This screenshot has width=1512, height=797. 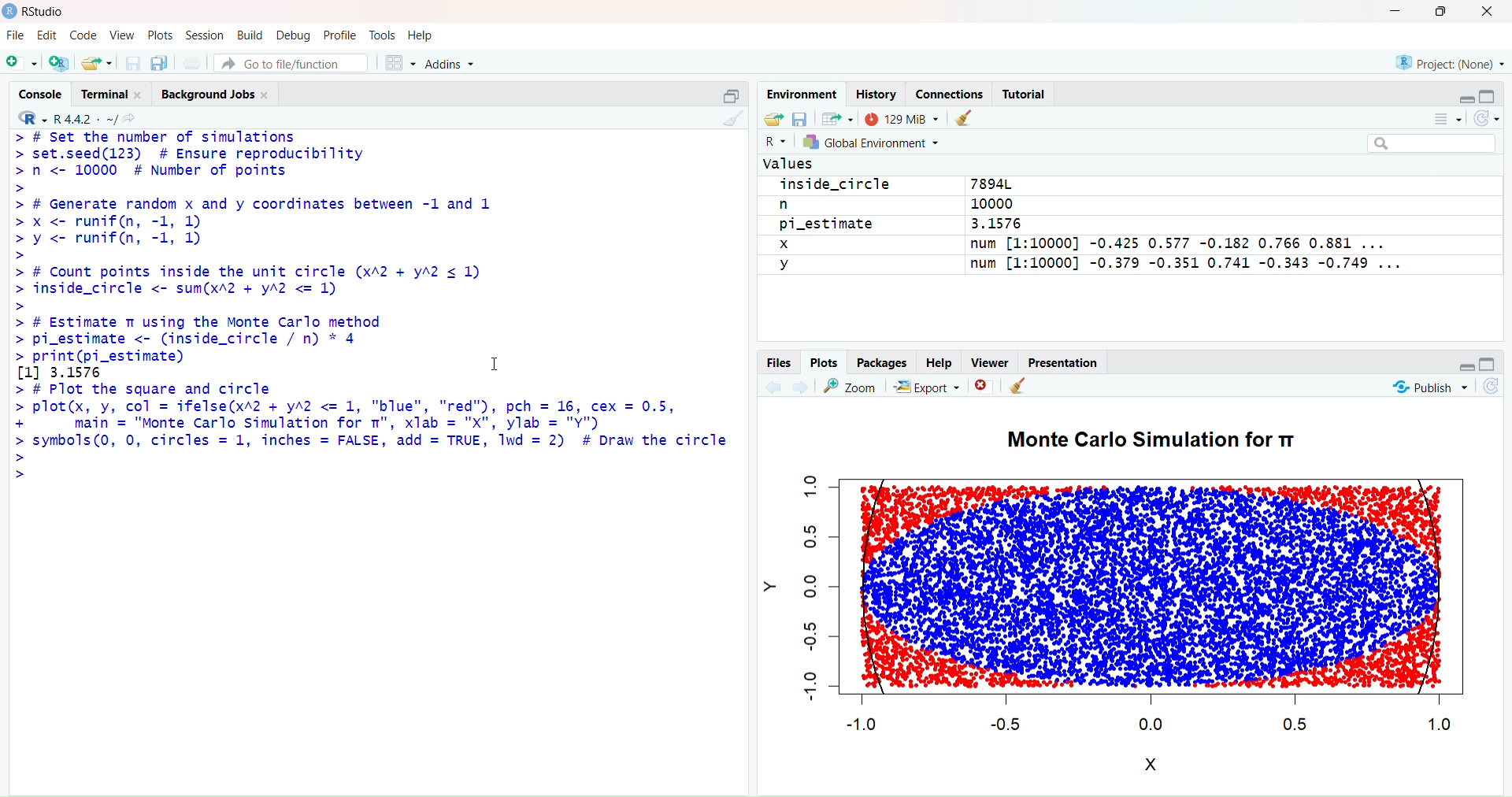 I want to click on View, so click(x=121, y=33).